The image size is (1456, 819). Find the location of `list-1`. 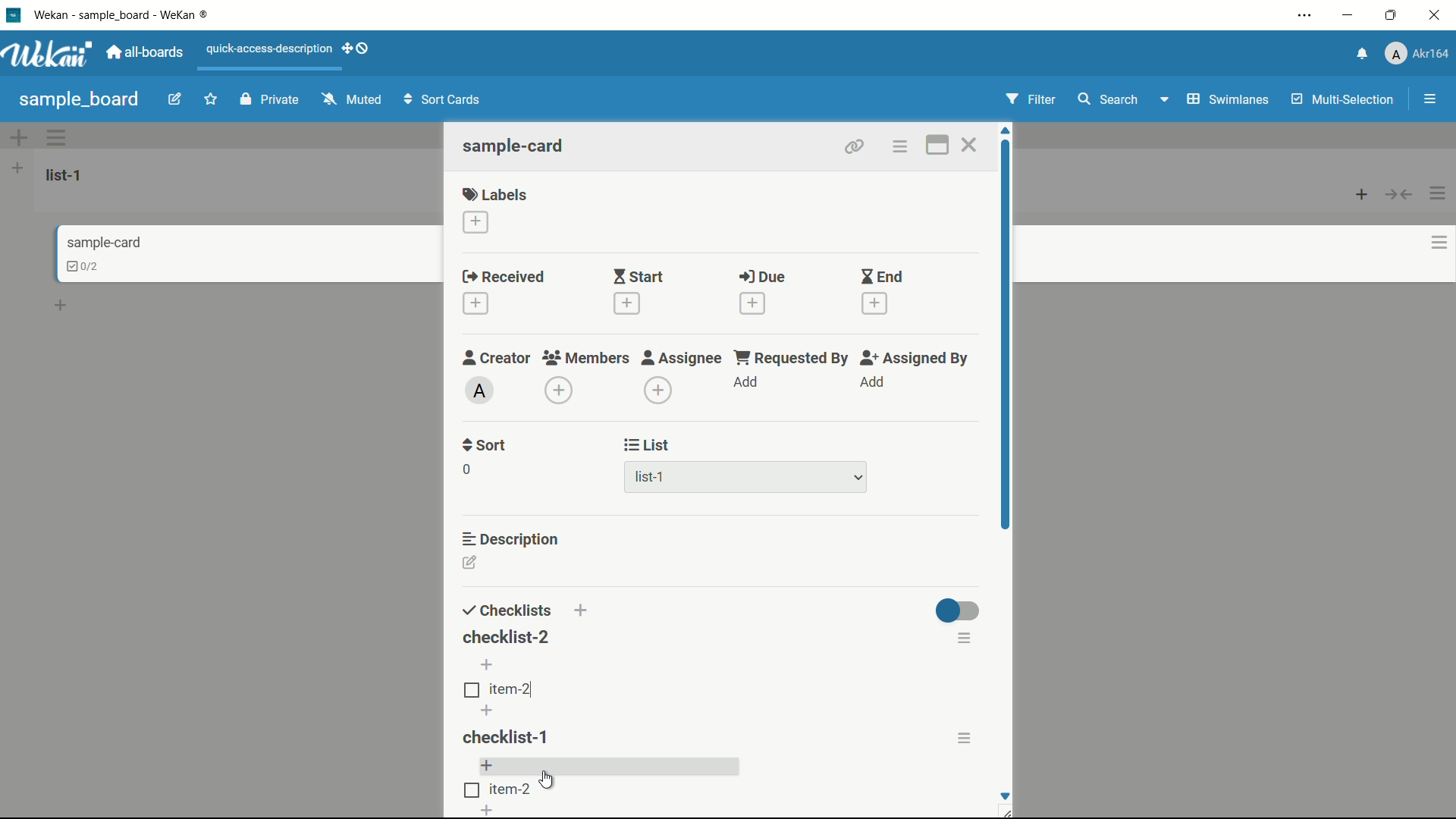

list-1 is located at coordinates (652, 480).